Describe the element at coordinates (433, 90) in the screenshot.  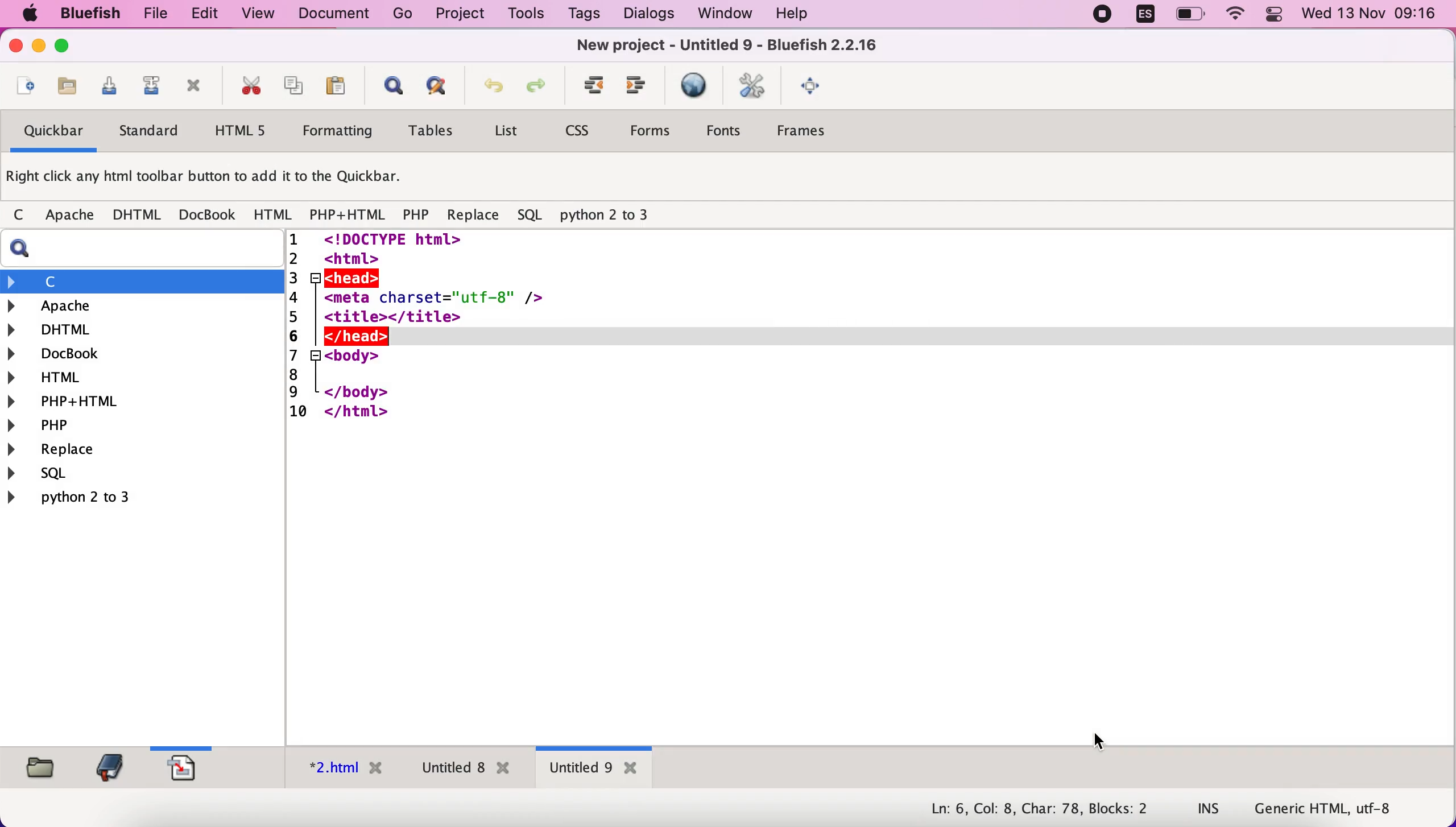
I see `advanced find and replace` at that location.